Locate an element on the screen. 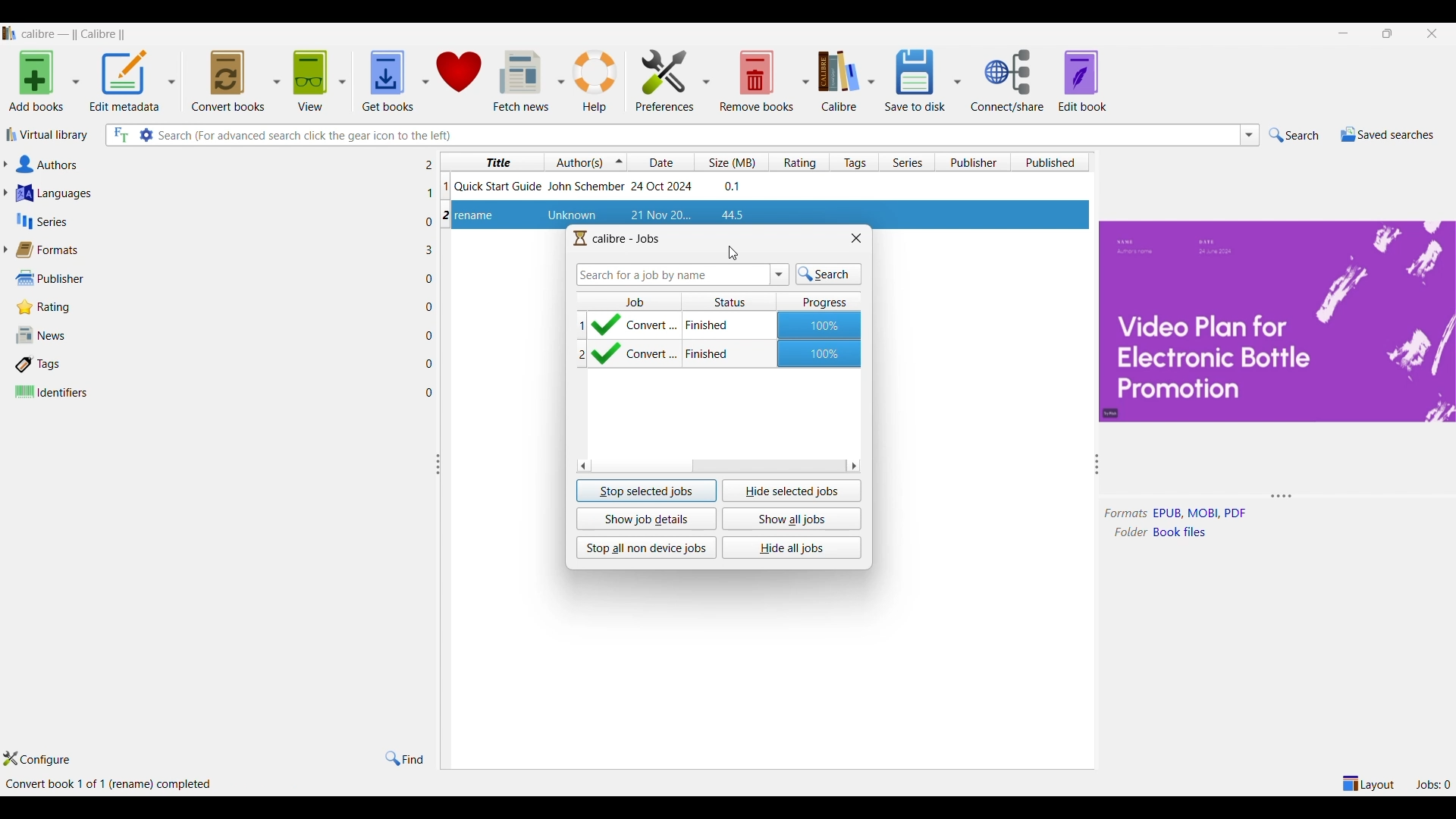 Image resolution: width=1456 pixels, height=819 pixels. Details of software is located at coordinates (151, 785).